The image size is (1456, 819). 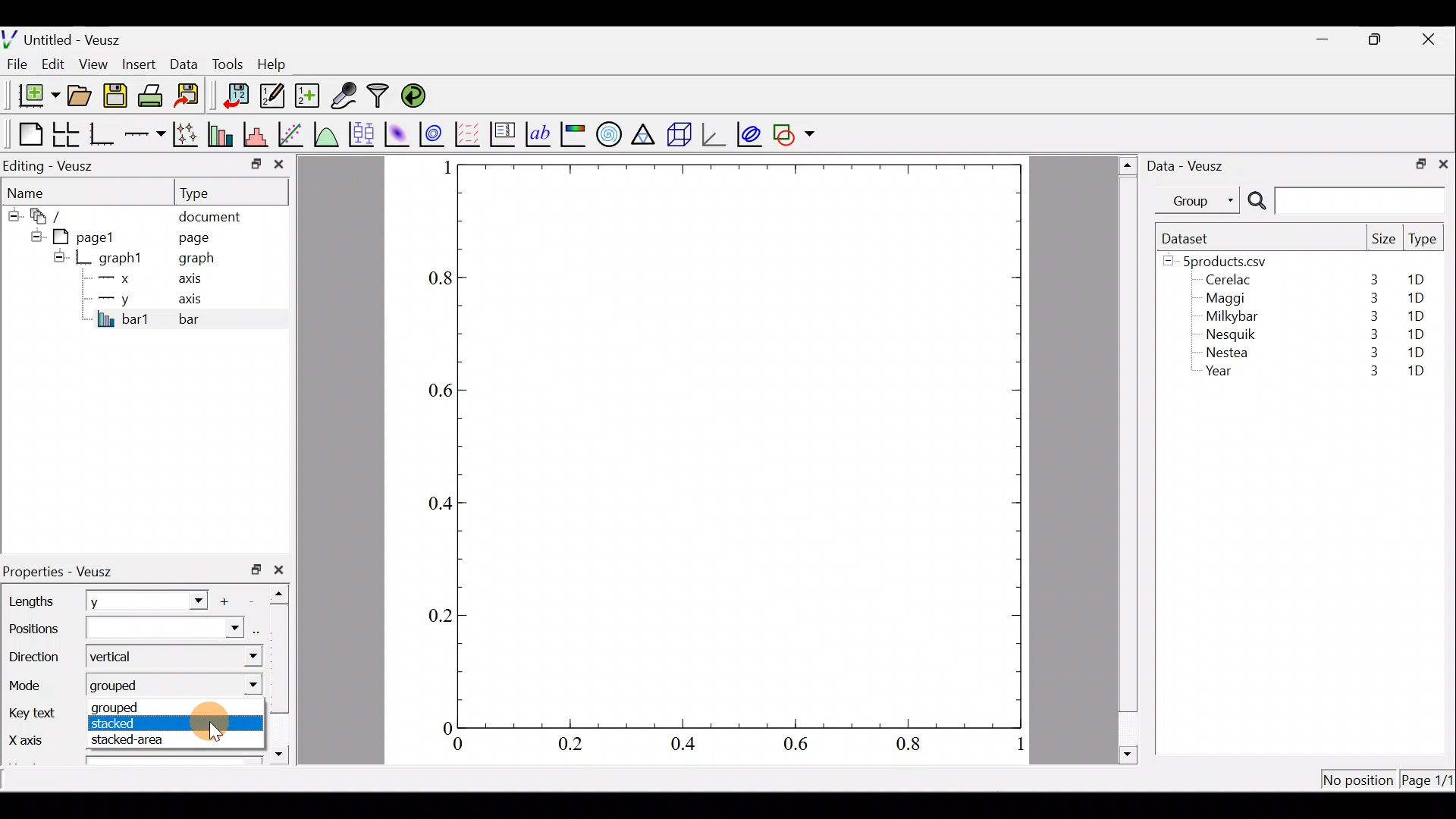 What do you see at coordinates (33, 96) in the screenshot?
I see `New document` at bounding box center [33, 96].